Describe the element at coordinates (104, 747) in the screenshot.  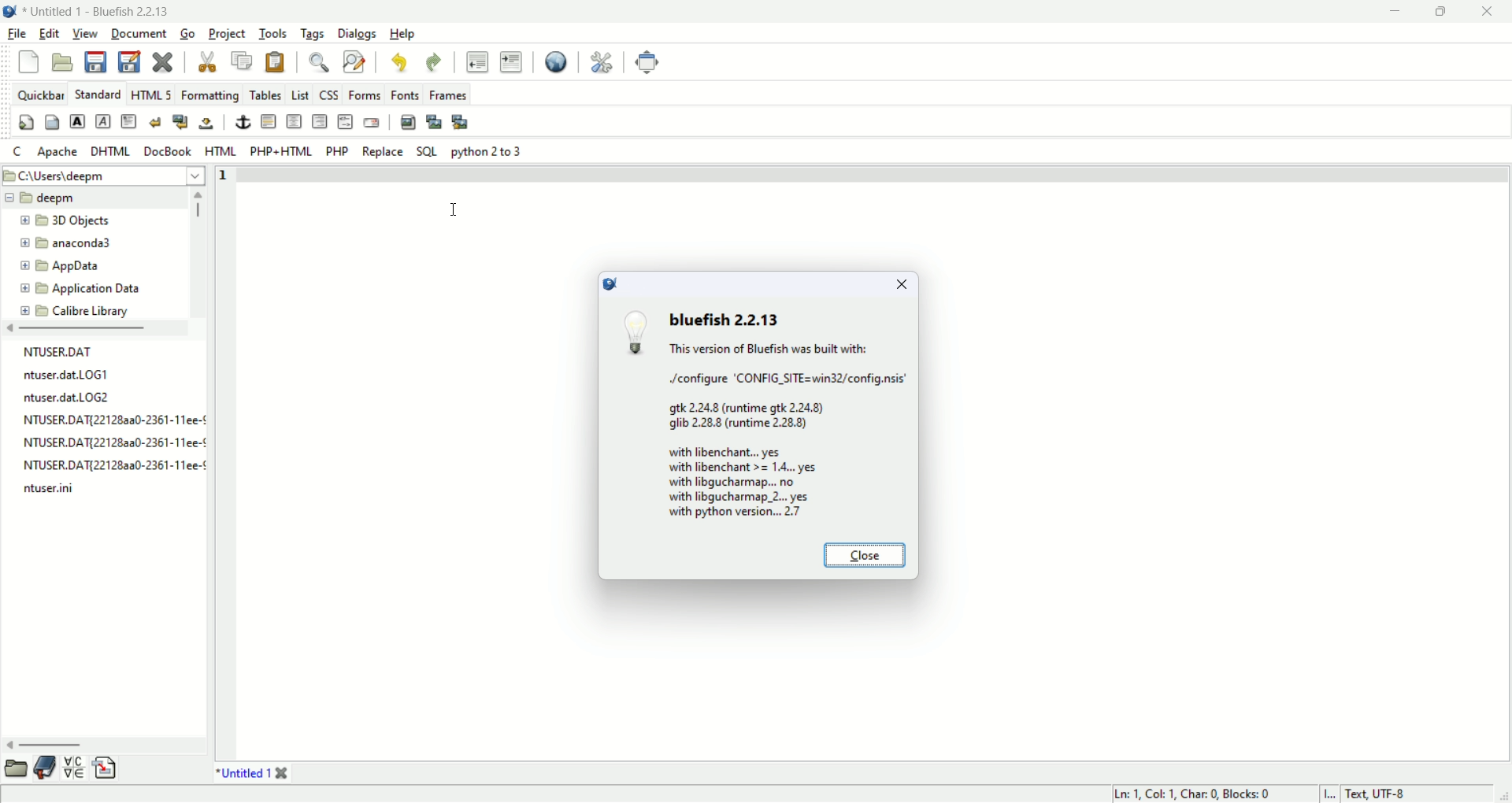
I see `scroll bar` at that location.